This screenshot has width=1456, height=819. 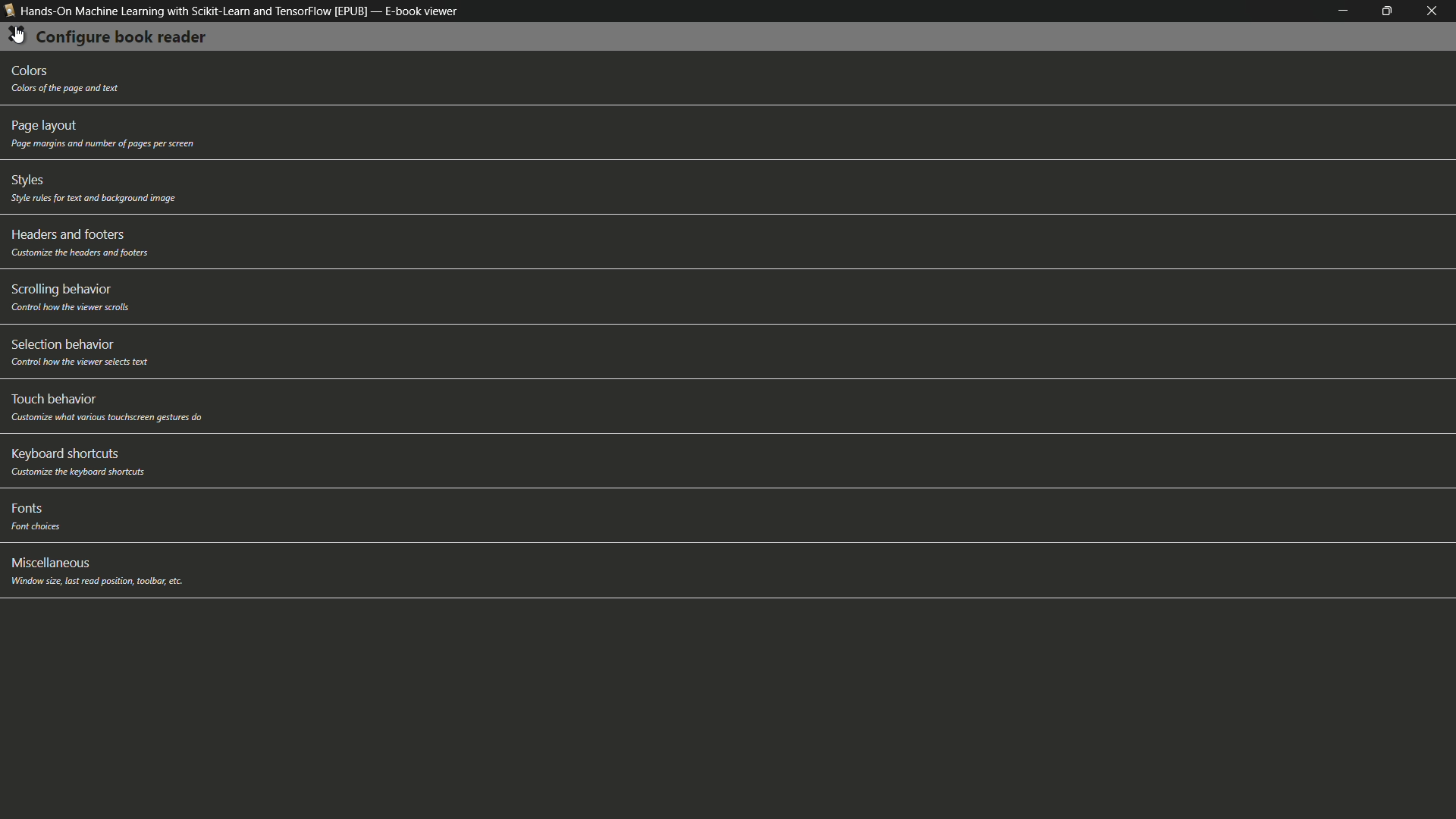 What do you see at coordinates (15, 36) in the screenshot?
I see `close` at bounding box center [15, 36].